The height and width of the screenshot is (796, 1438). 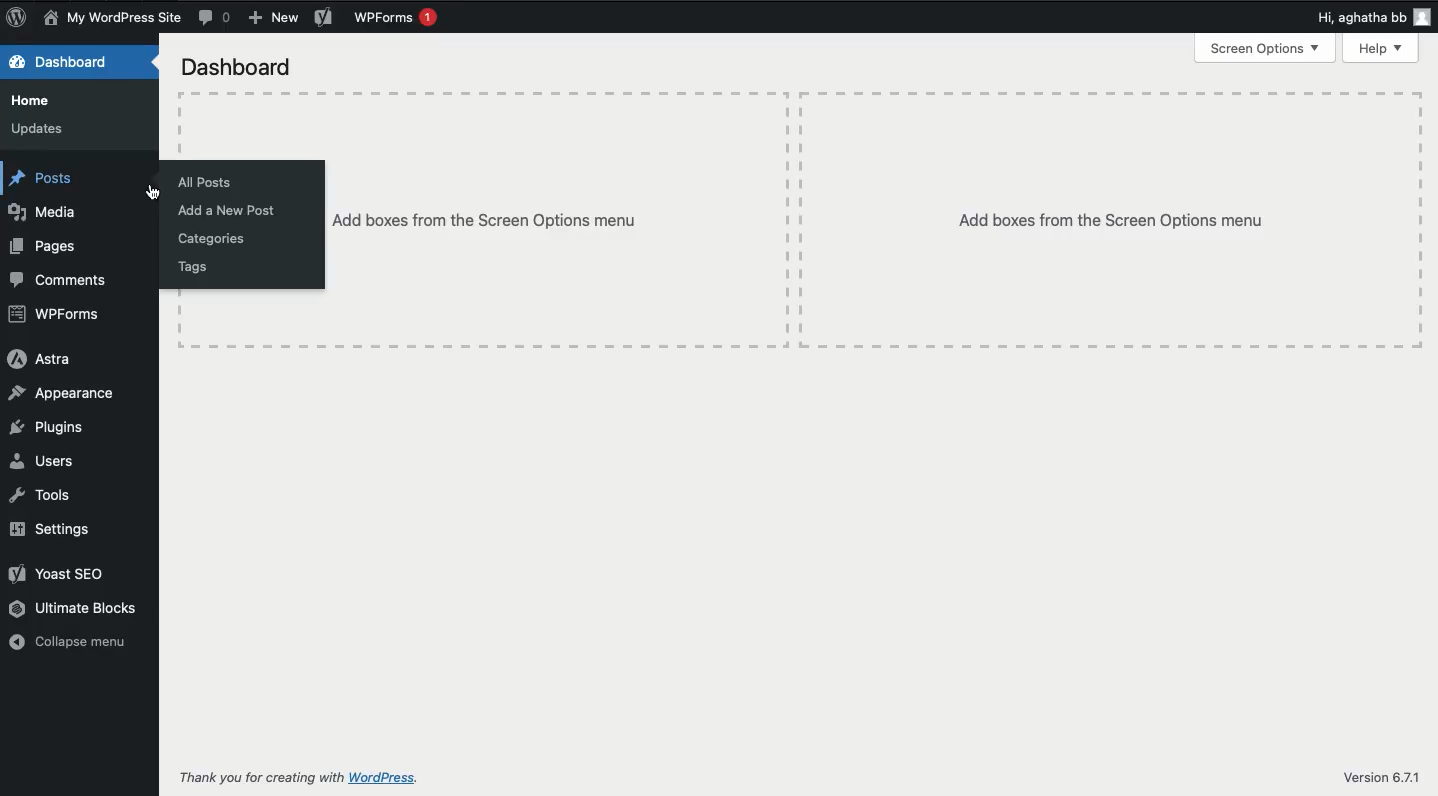 I want to click on Tags, so click(x=191, y=270).